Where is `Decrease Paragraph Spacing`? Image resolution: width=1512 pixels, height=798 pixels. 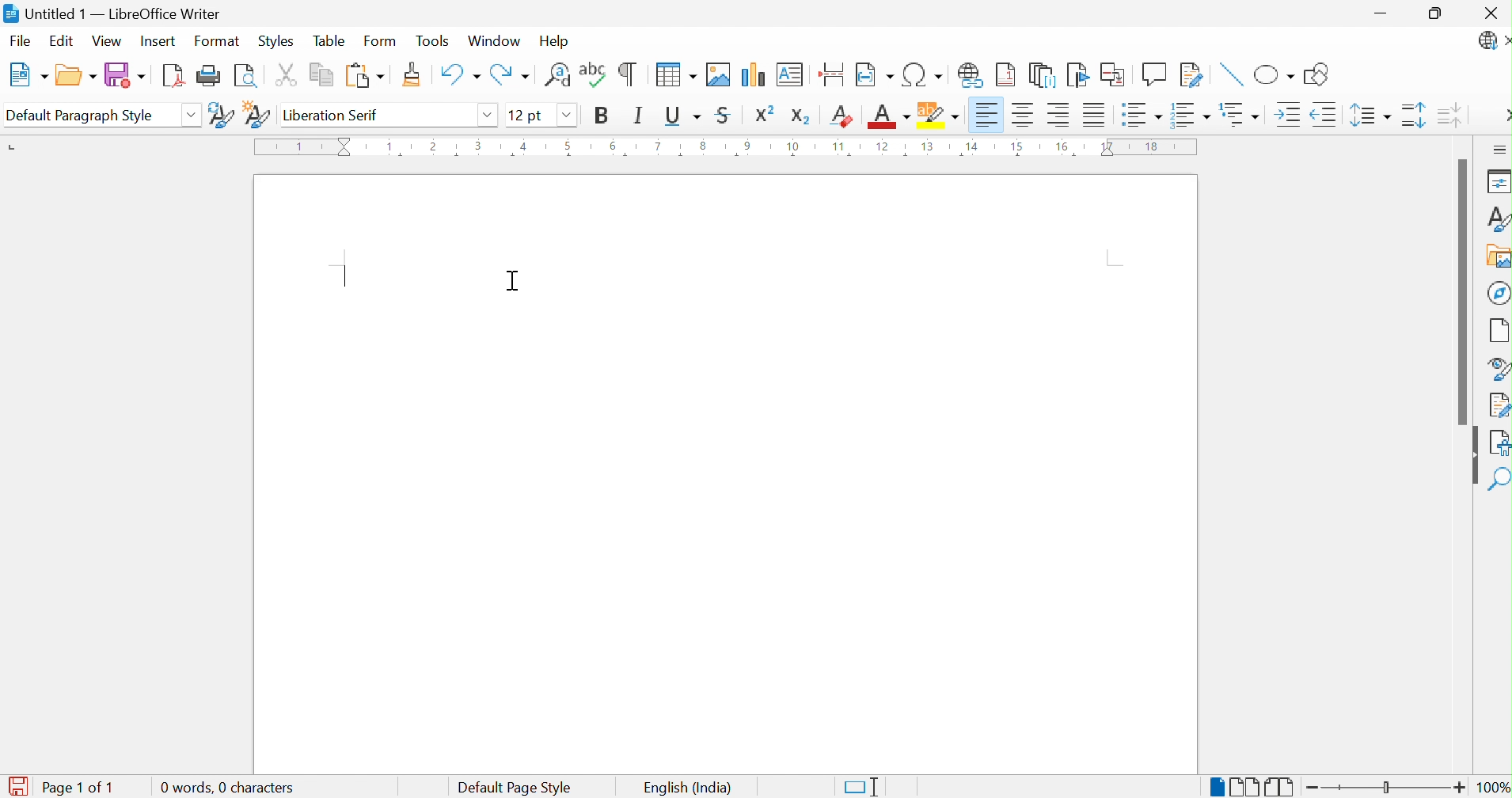 Decrease Paragraph Spacing is located at coordinates (1451, 117).